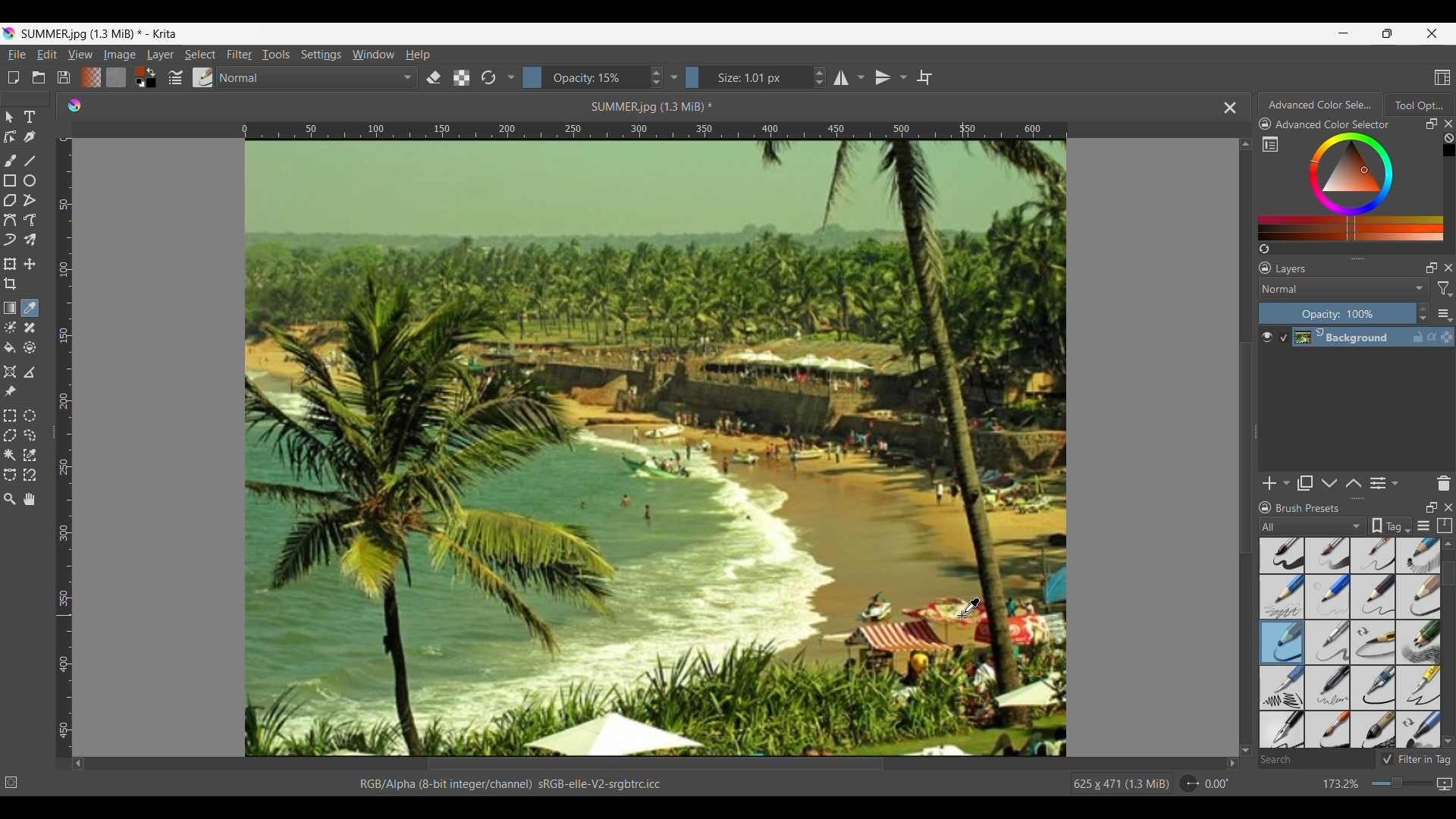  What do you see at coordinates (1448, 574) in the screenshot?
I see `Vertical slide bar for brush` at bounding box center [1448, 574].